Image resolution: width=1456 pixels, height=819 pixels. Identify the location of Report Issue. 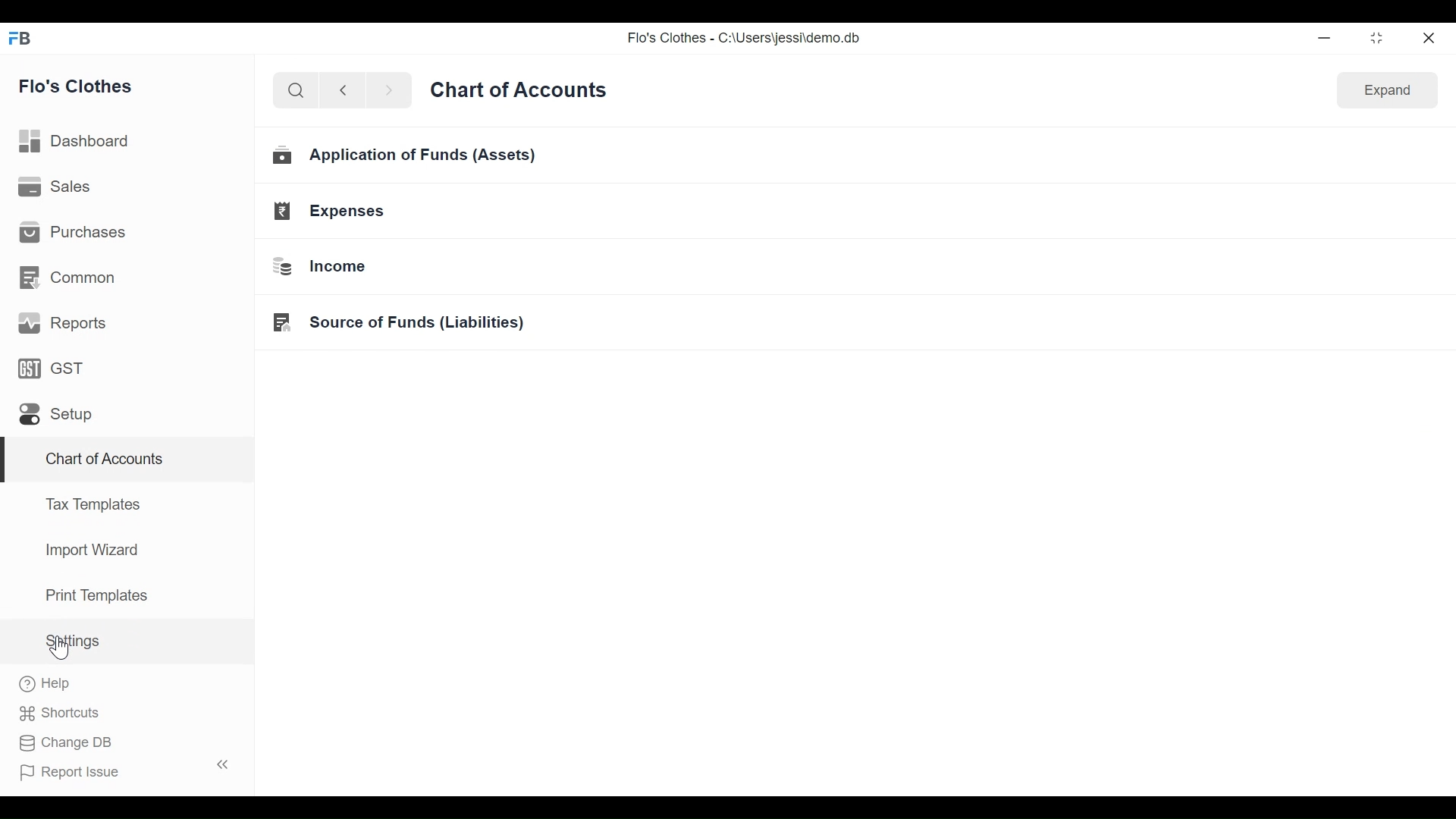
(121, 769).